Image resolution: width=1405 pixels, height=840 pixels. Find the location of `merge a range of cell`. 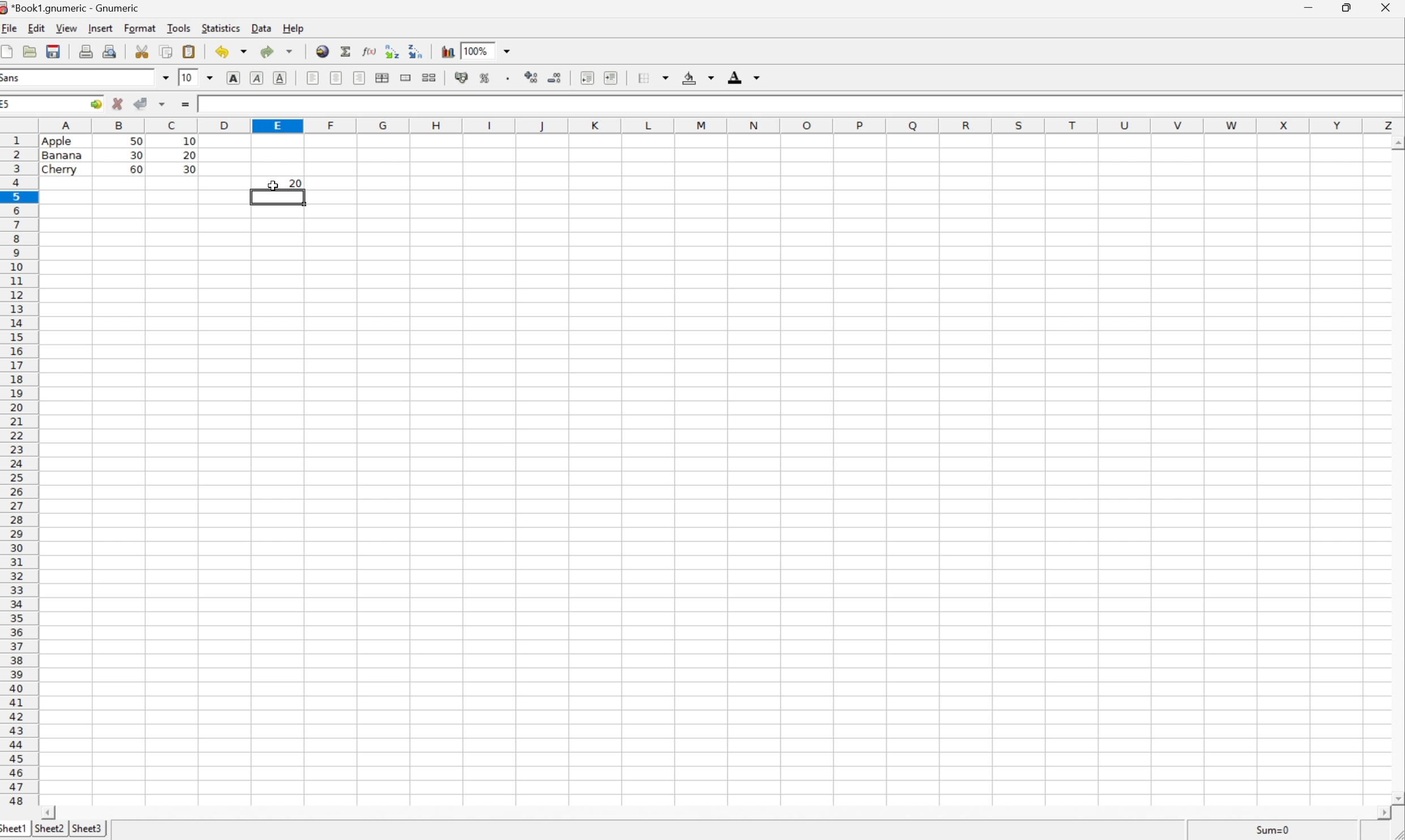

merge a range of cell is located at coordinates (406, 76).